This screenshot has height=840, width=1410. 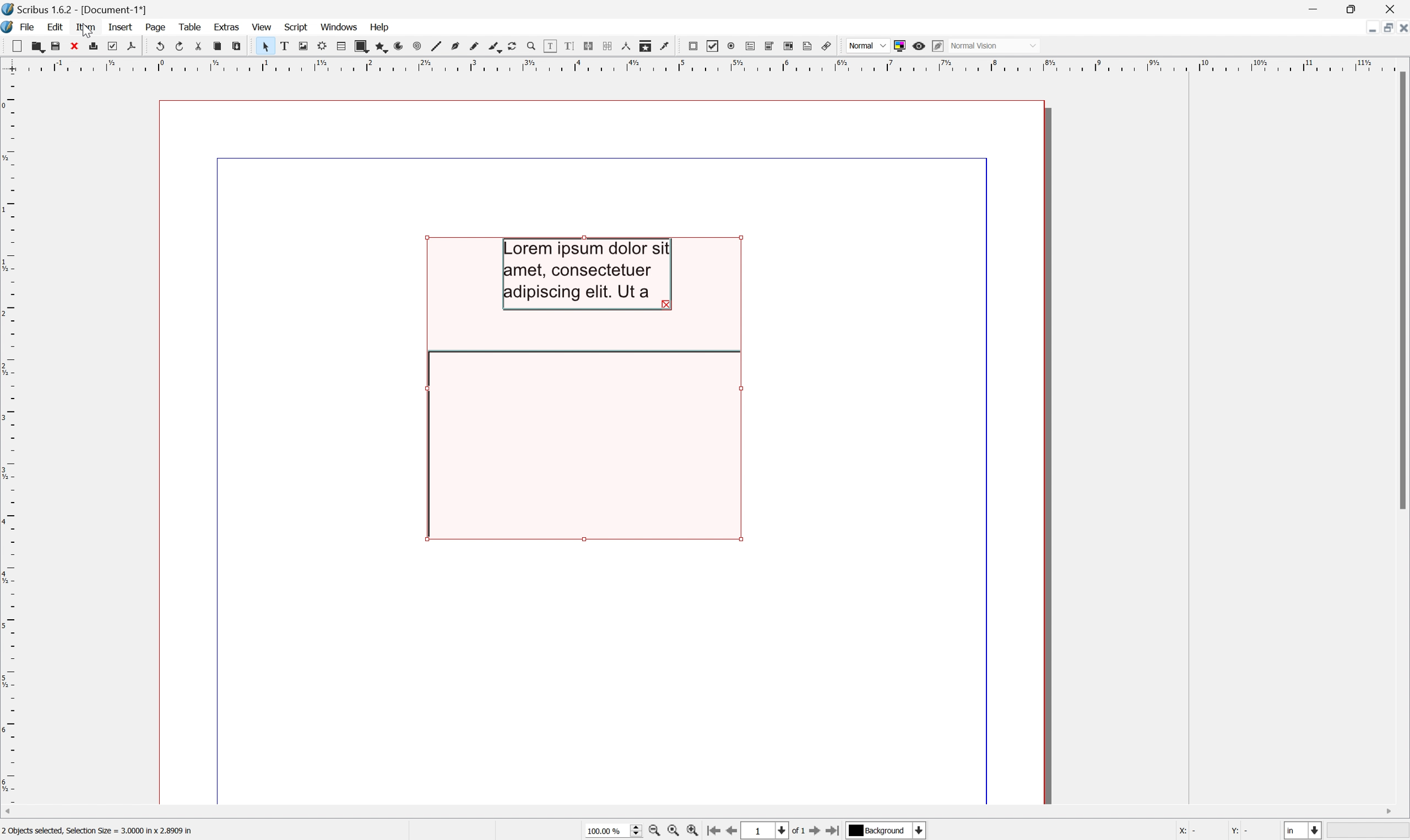 I want to click on Minimize, so click(x=1310, y=8).